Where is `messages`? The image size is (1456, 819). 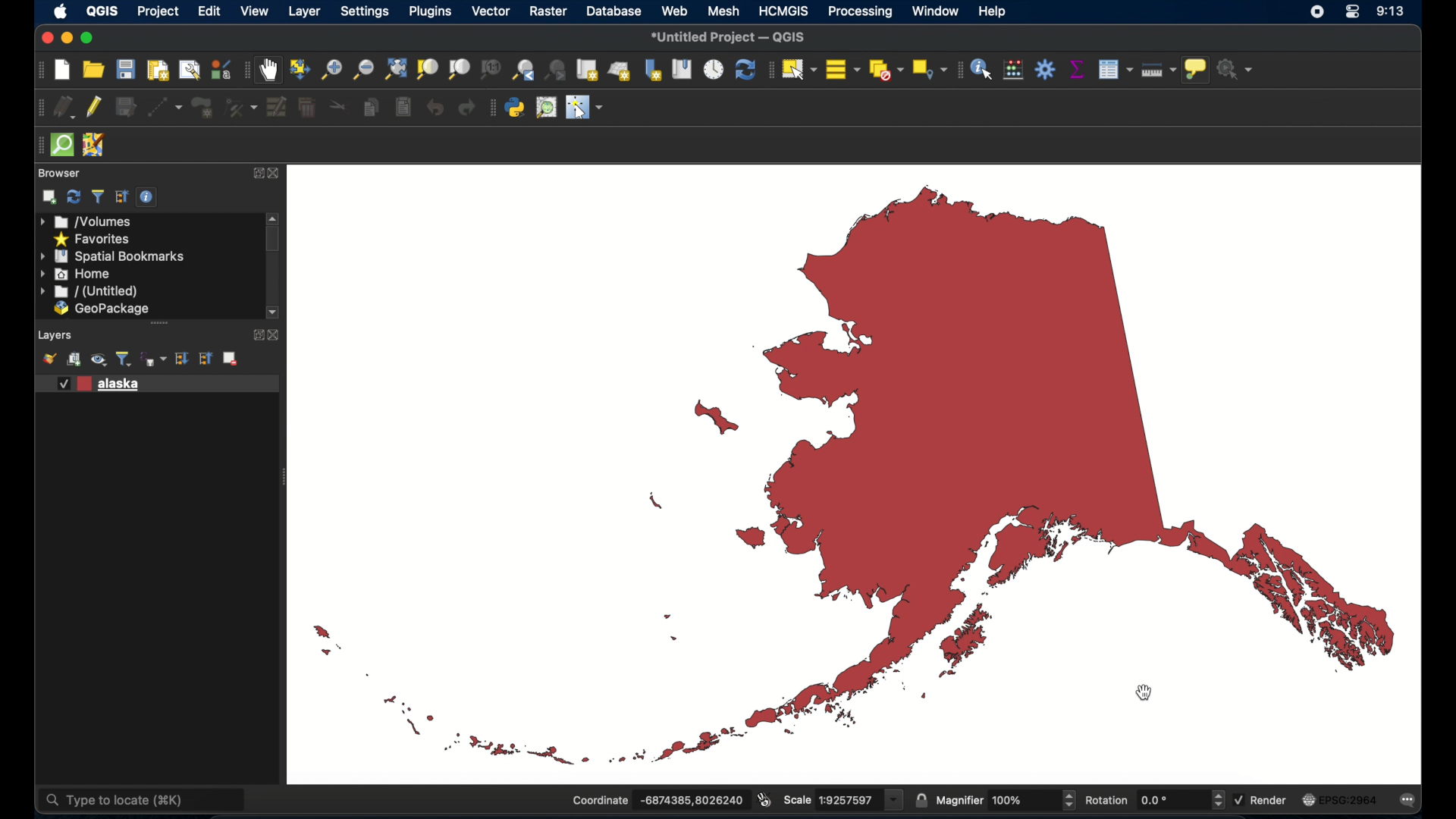
messages is located at coordinates (1411, 801).